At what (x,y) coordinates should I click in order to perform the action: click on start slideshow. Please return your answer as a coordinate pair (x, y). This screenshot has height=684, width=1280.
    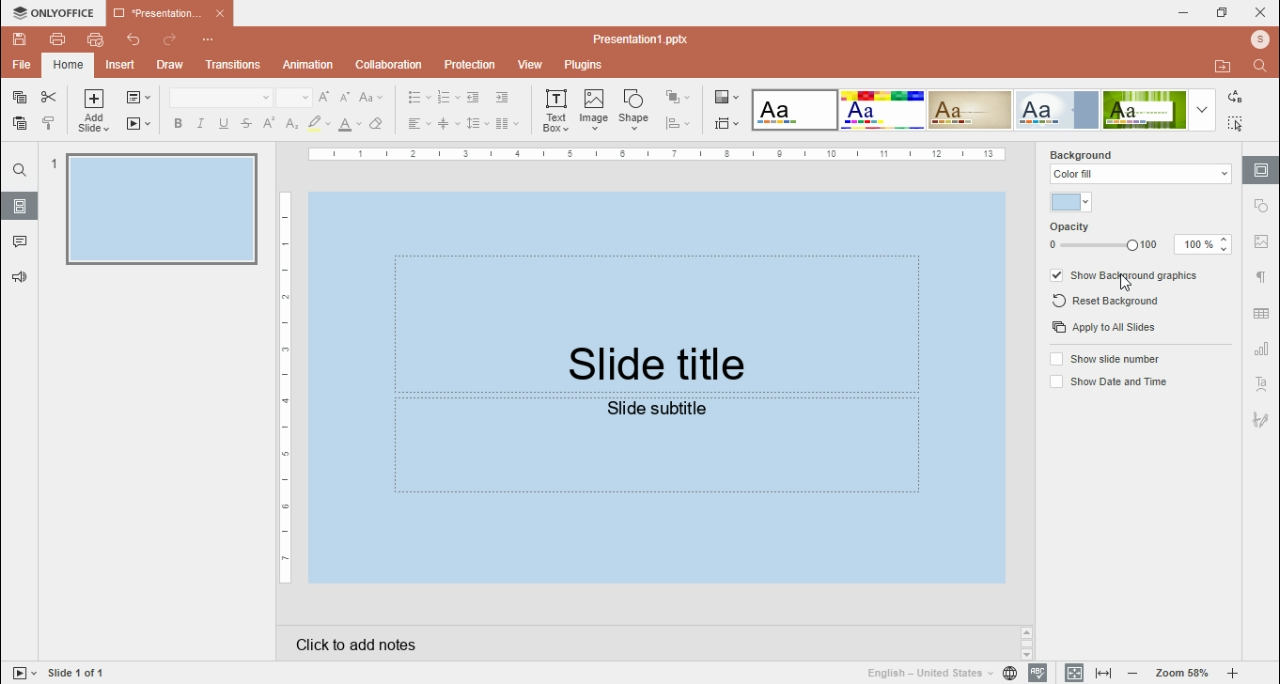
    Looking at the image, I should click on (24, 672).